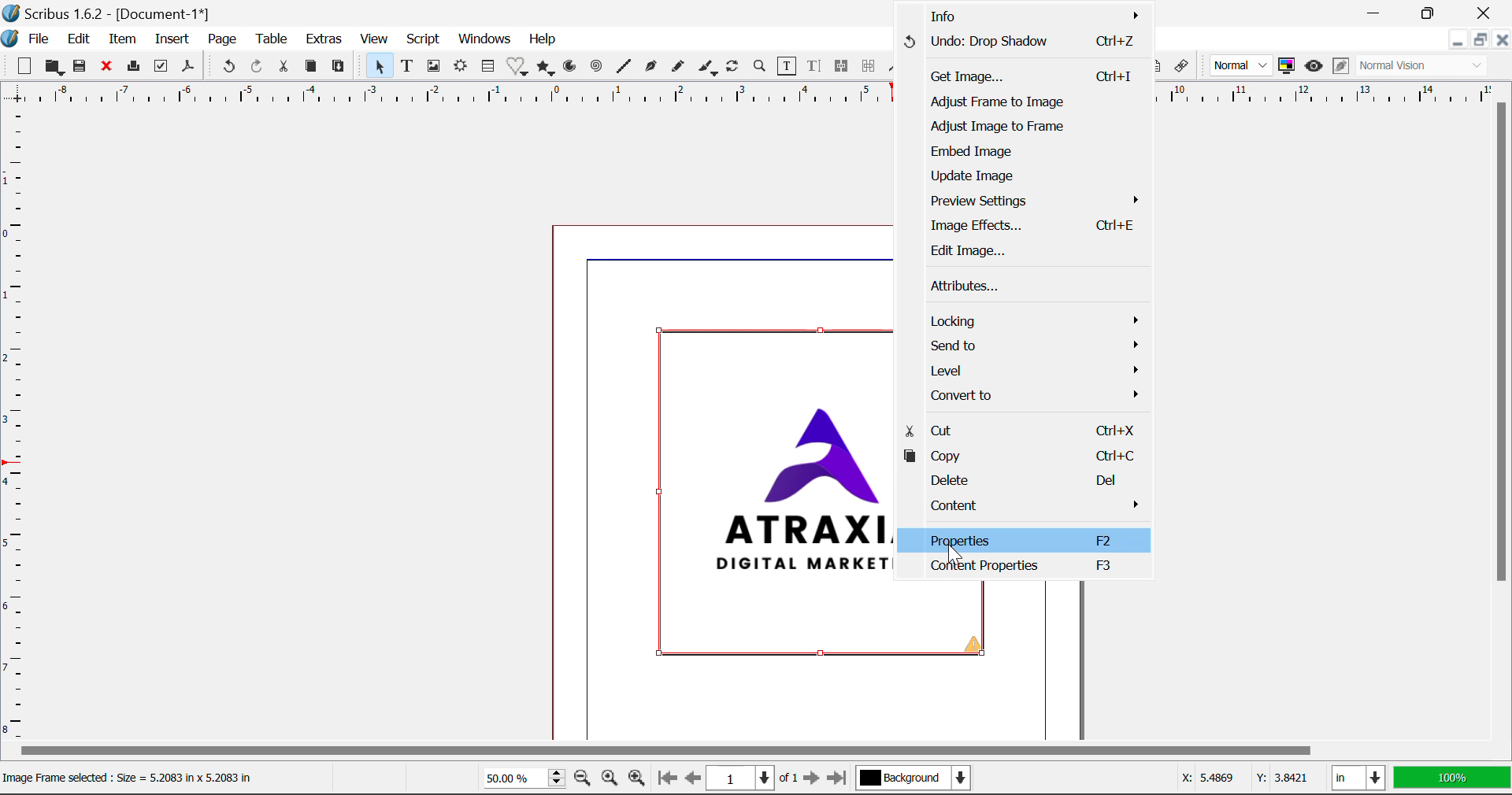 This screenshot has height=795, width=1512. Describe the element at coordinates (53, 67) in the screenshot. I see `Open` at that location.